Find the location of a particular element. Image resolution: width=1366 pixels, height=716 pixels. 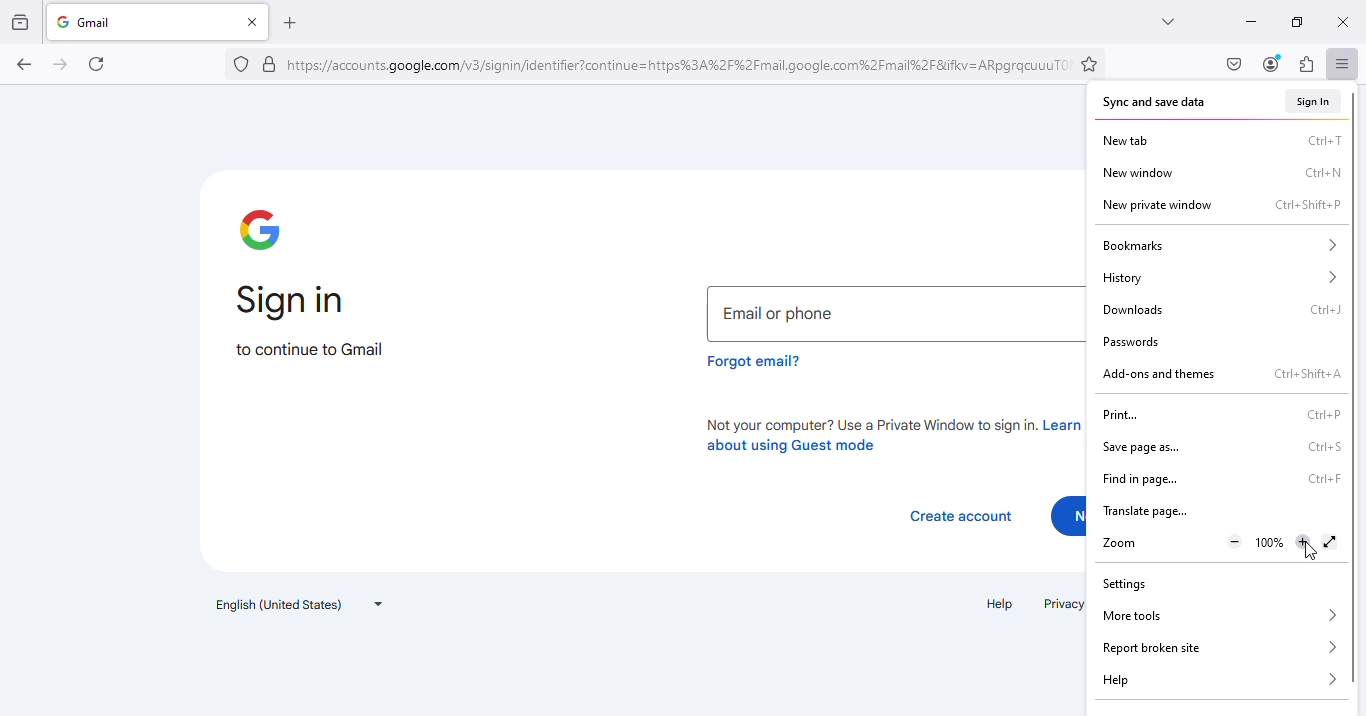

zoom in is located at coordinates (1304, 541).